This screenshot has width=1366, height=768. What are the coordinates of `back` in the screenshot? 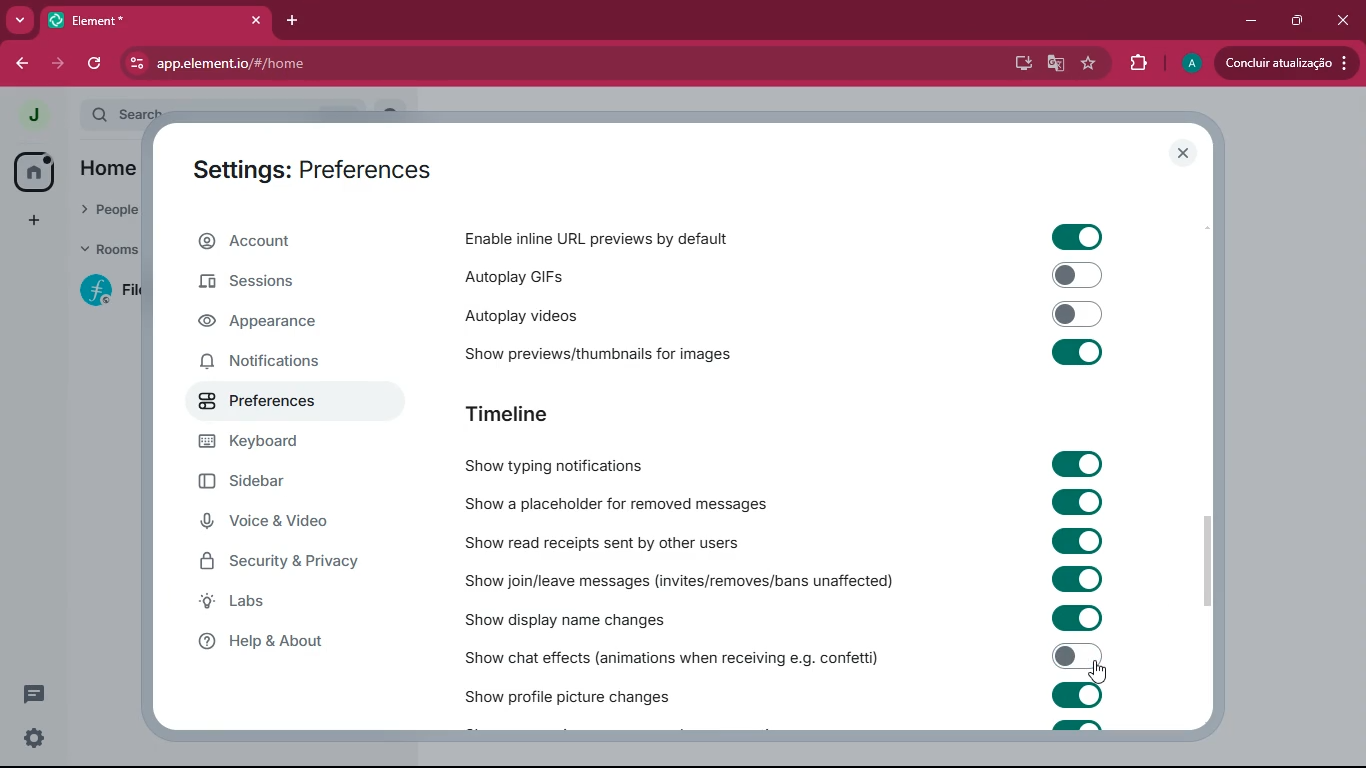 It's located at (23, 64).